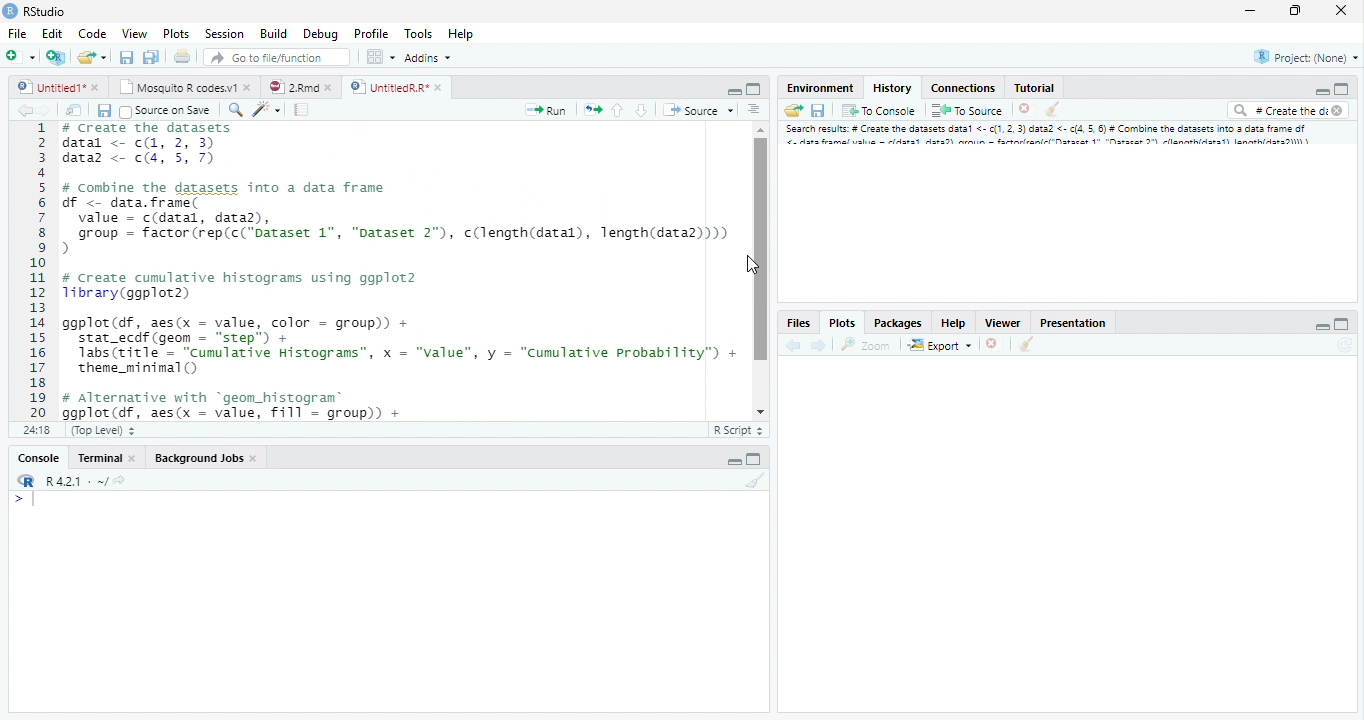 This screenshot has width=1364, height=720. What do you see at coordinates (41, 430) in the screenshot?
I see `1:1` at bounding box center [41, 430].